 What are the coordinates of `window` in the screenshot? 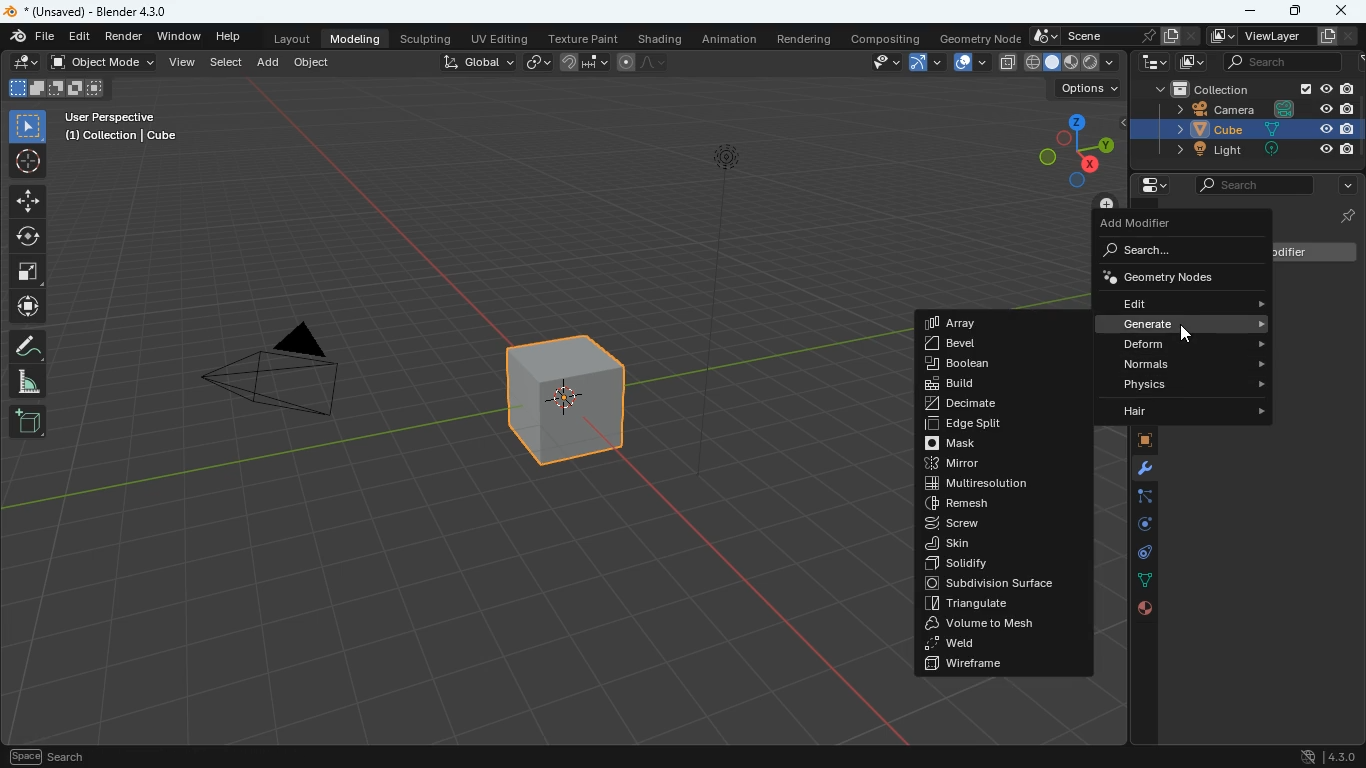 It's located at (181, 37).